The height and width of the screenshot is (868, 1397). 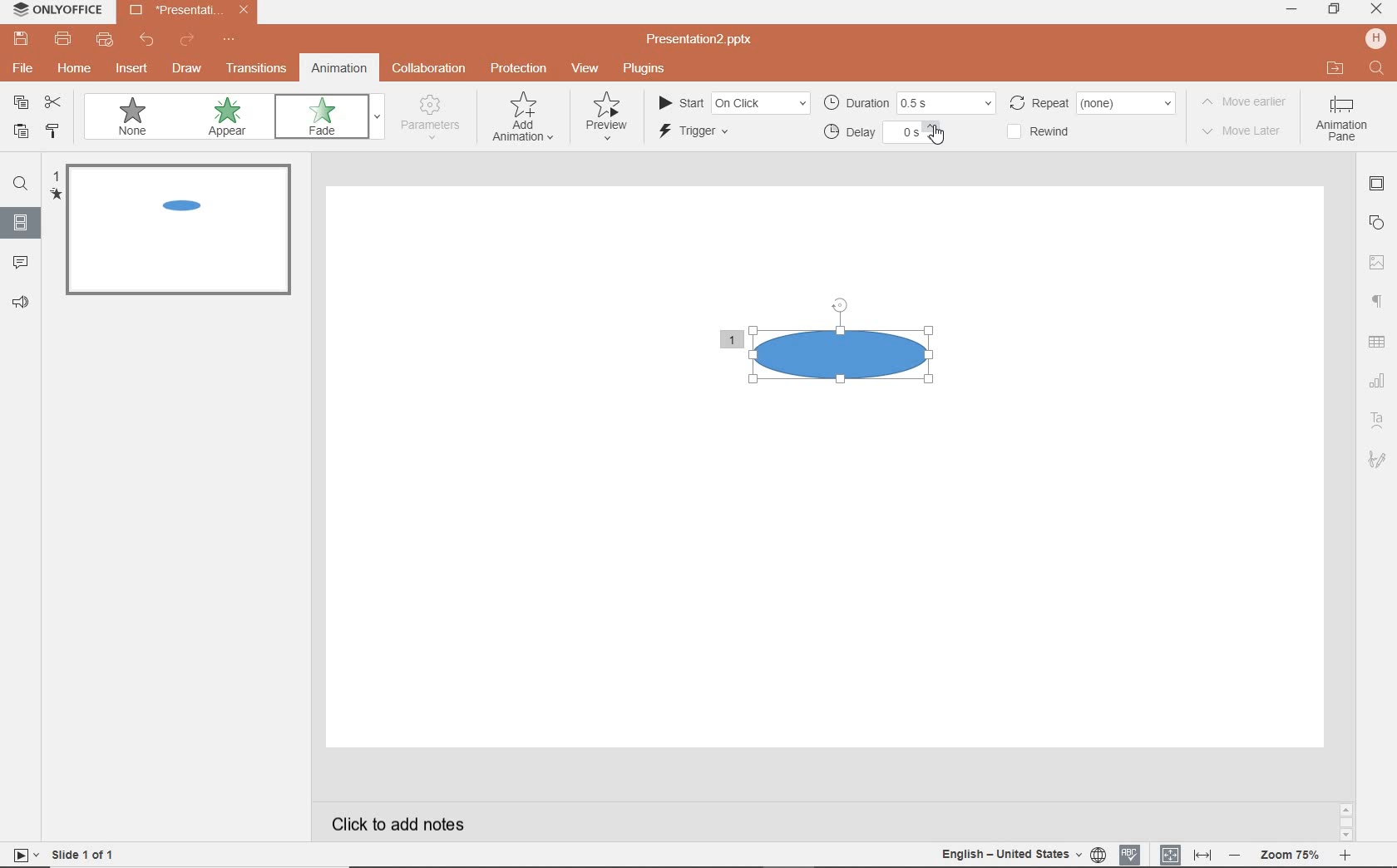 I want to click on open file location, so click(x=1338, y=67).